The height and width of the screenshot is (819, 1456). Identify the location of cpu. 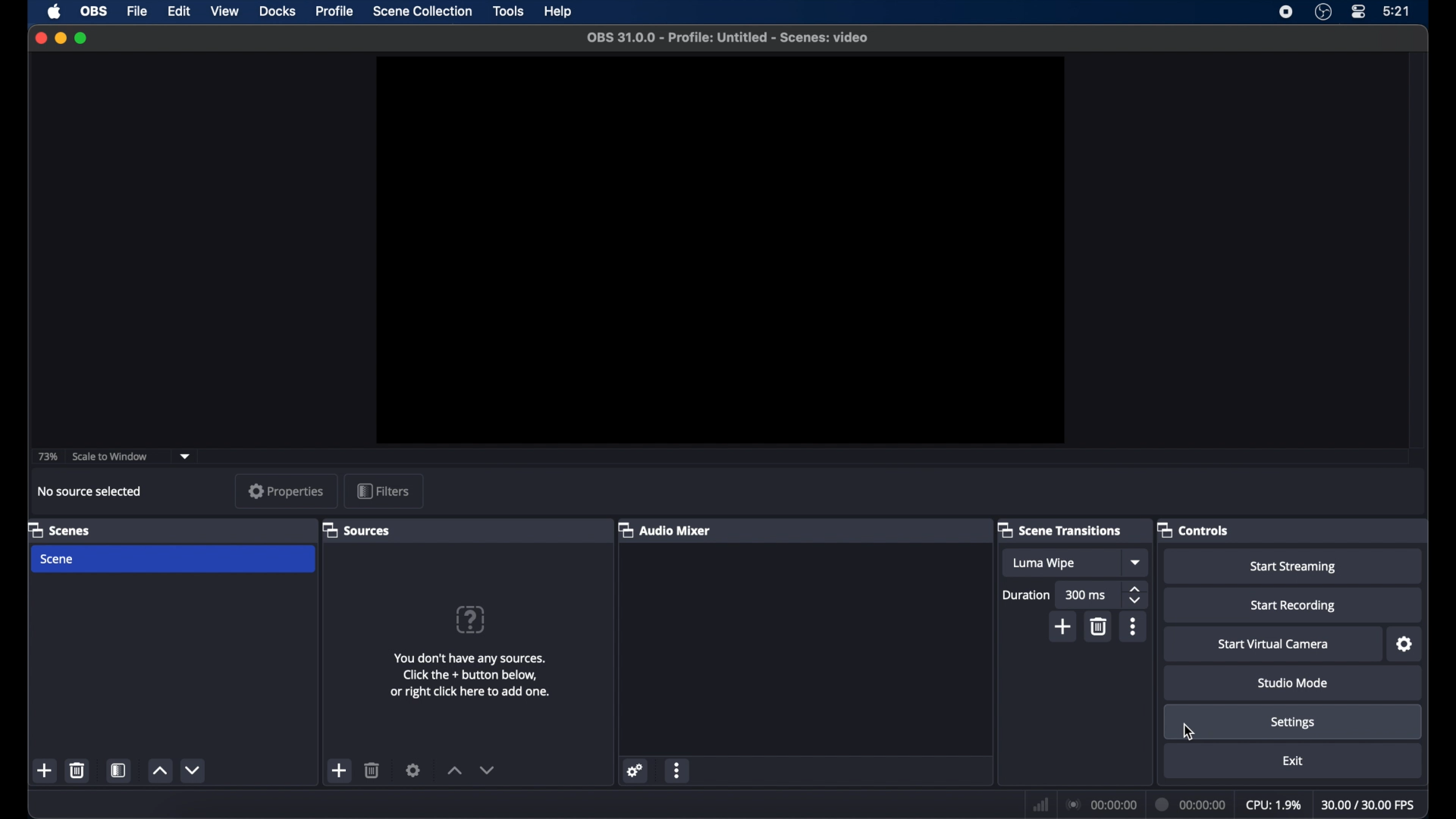
(1272, 805).